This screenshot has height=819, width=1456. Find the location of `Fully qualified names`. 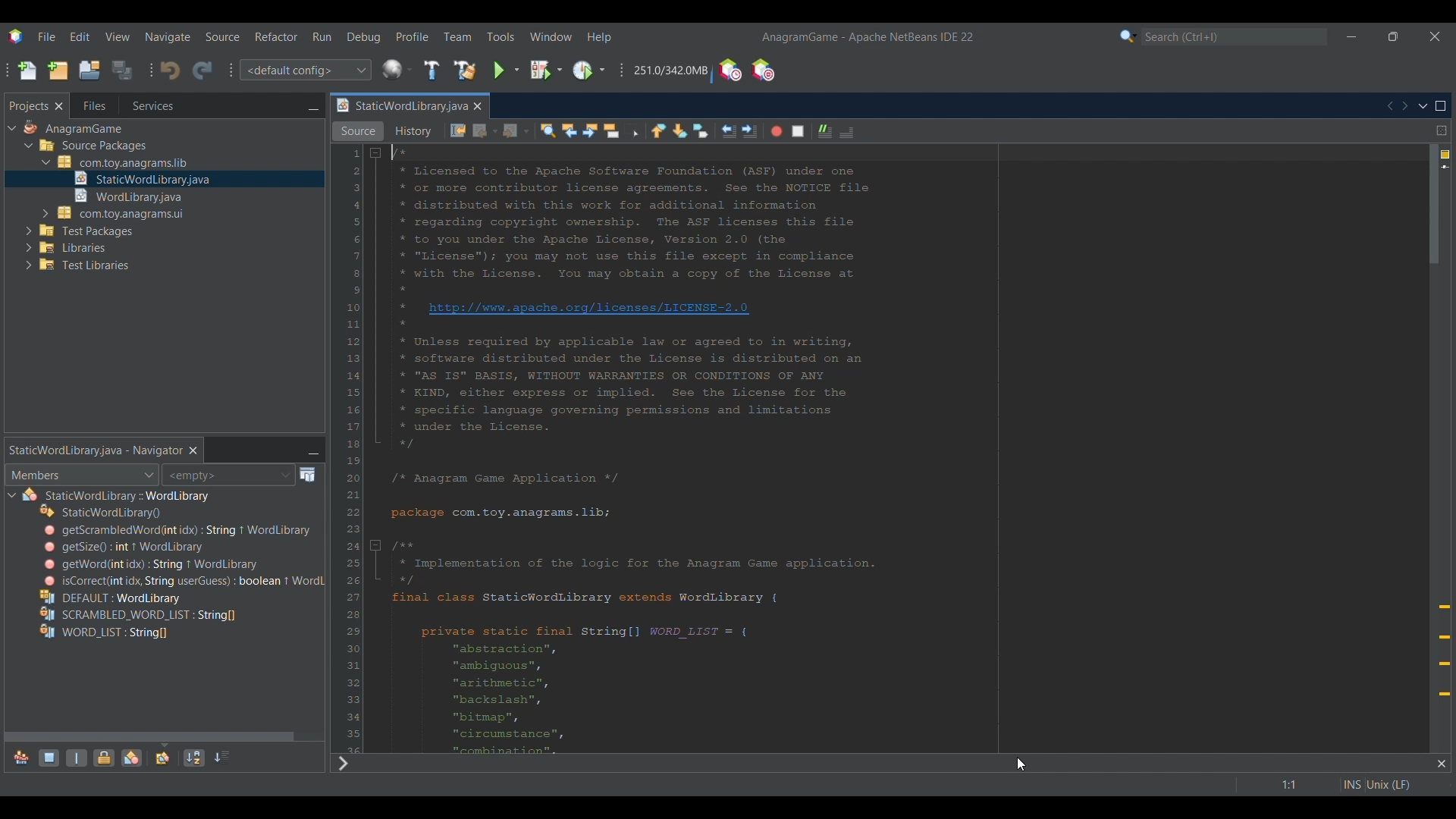

Fully qualified names is located at coordinates (163, 759).